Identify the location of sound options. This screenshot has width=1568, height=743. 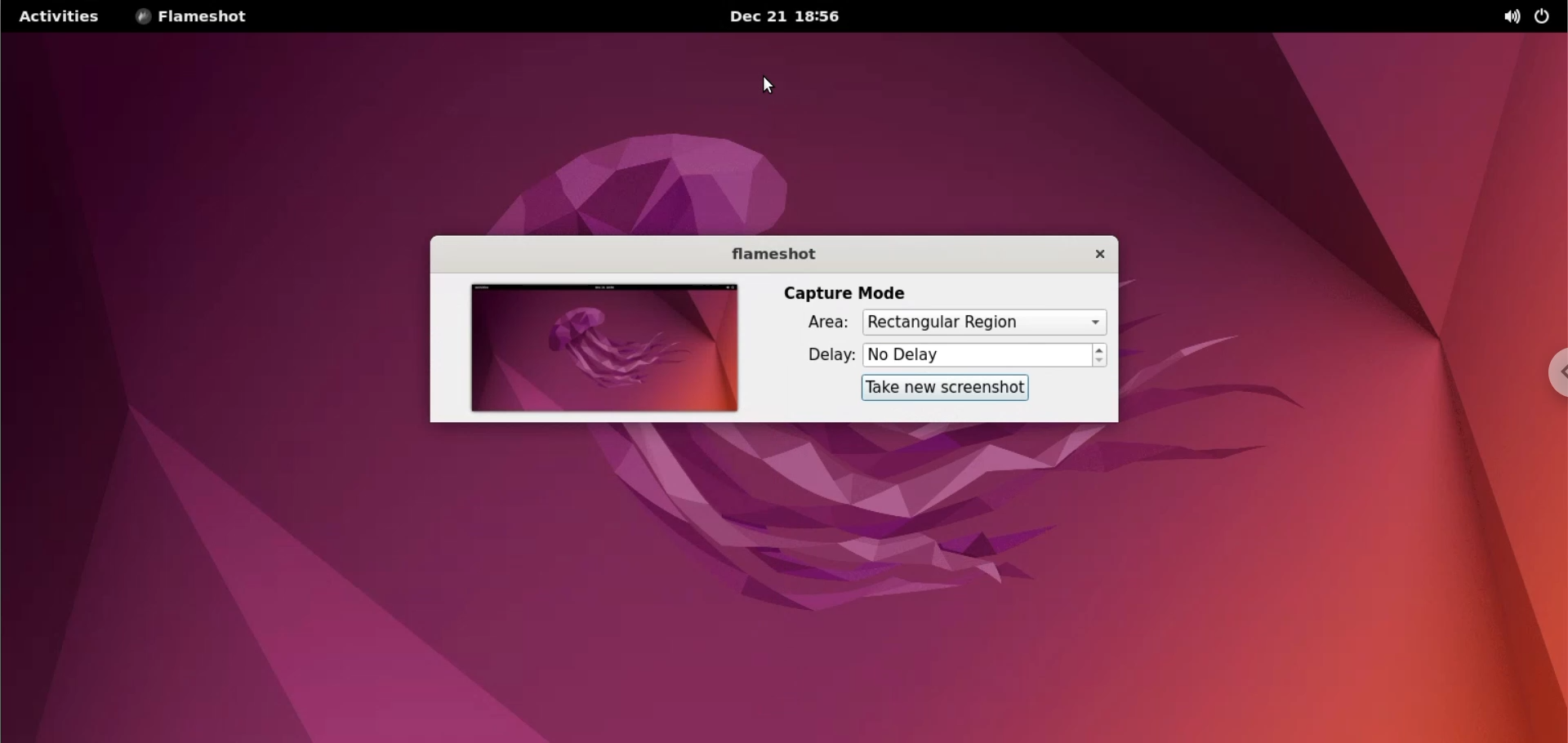
(1510, 16).